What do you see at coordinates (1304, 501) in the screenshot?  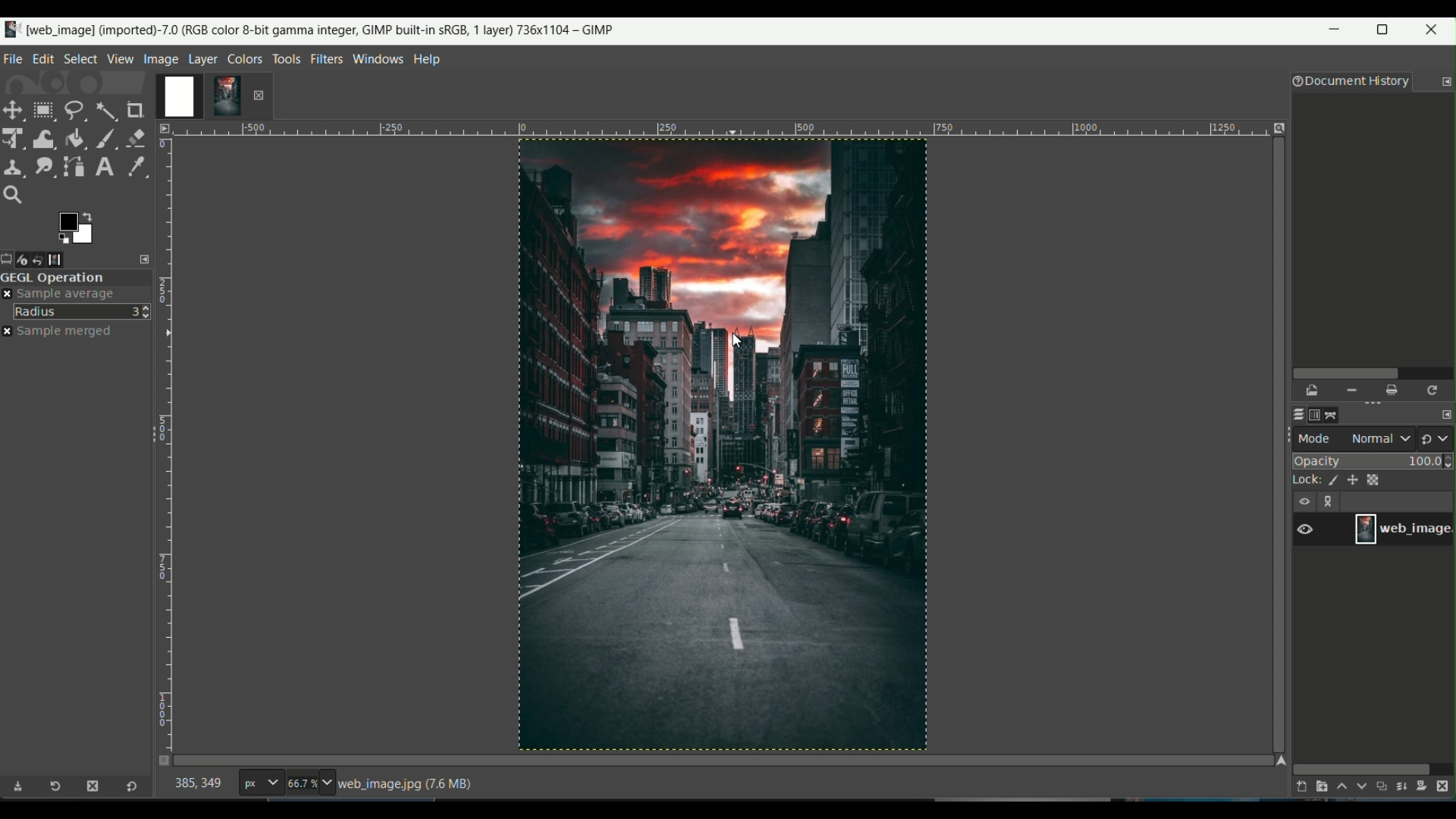 I see `(un)hide` at bounding box center [1304, 501].